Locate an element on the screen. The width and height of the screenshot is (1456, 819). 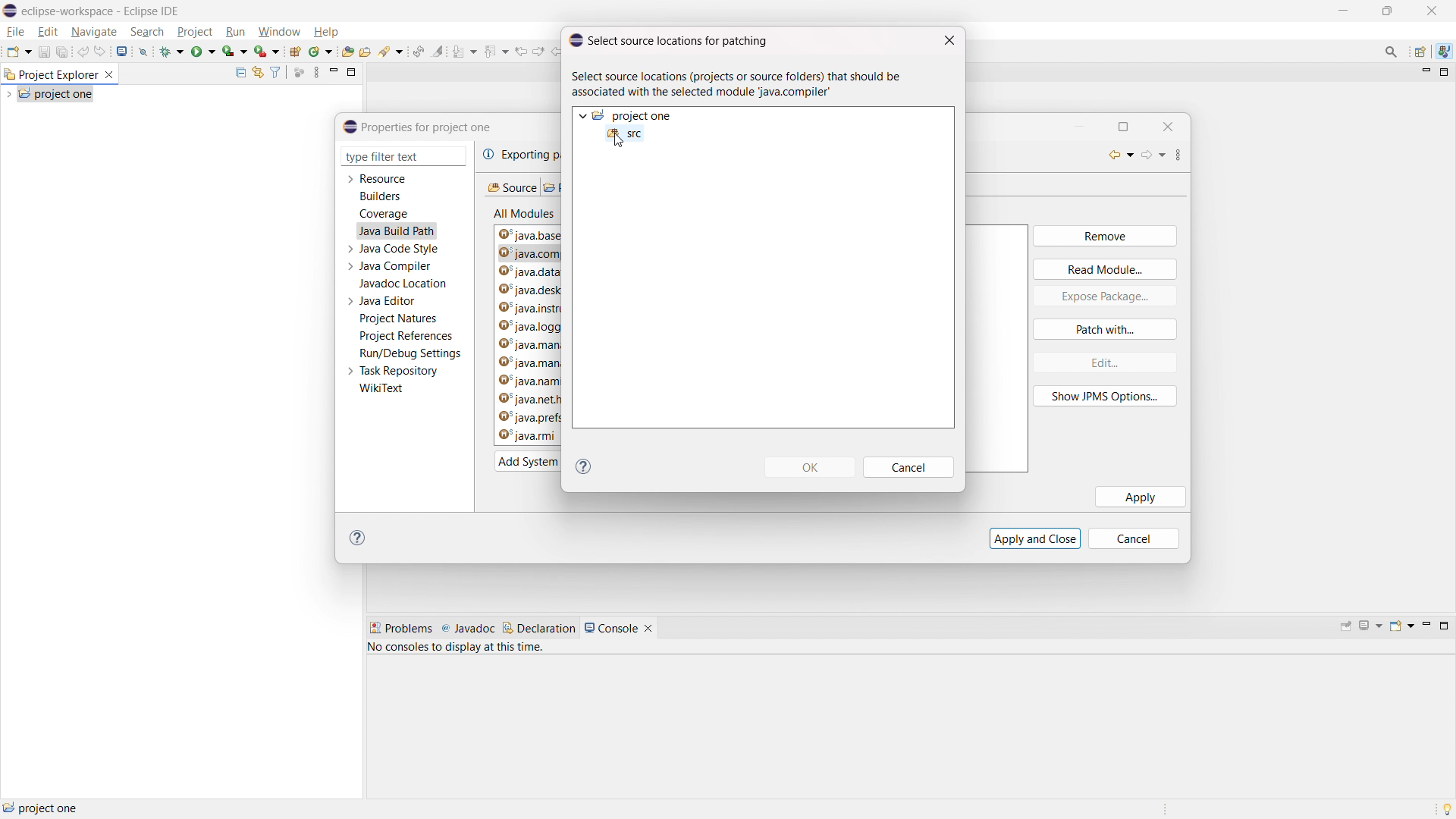
properties for project one is located at coordinates (418, 127).